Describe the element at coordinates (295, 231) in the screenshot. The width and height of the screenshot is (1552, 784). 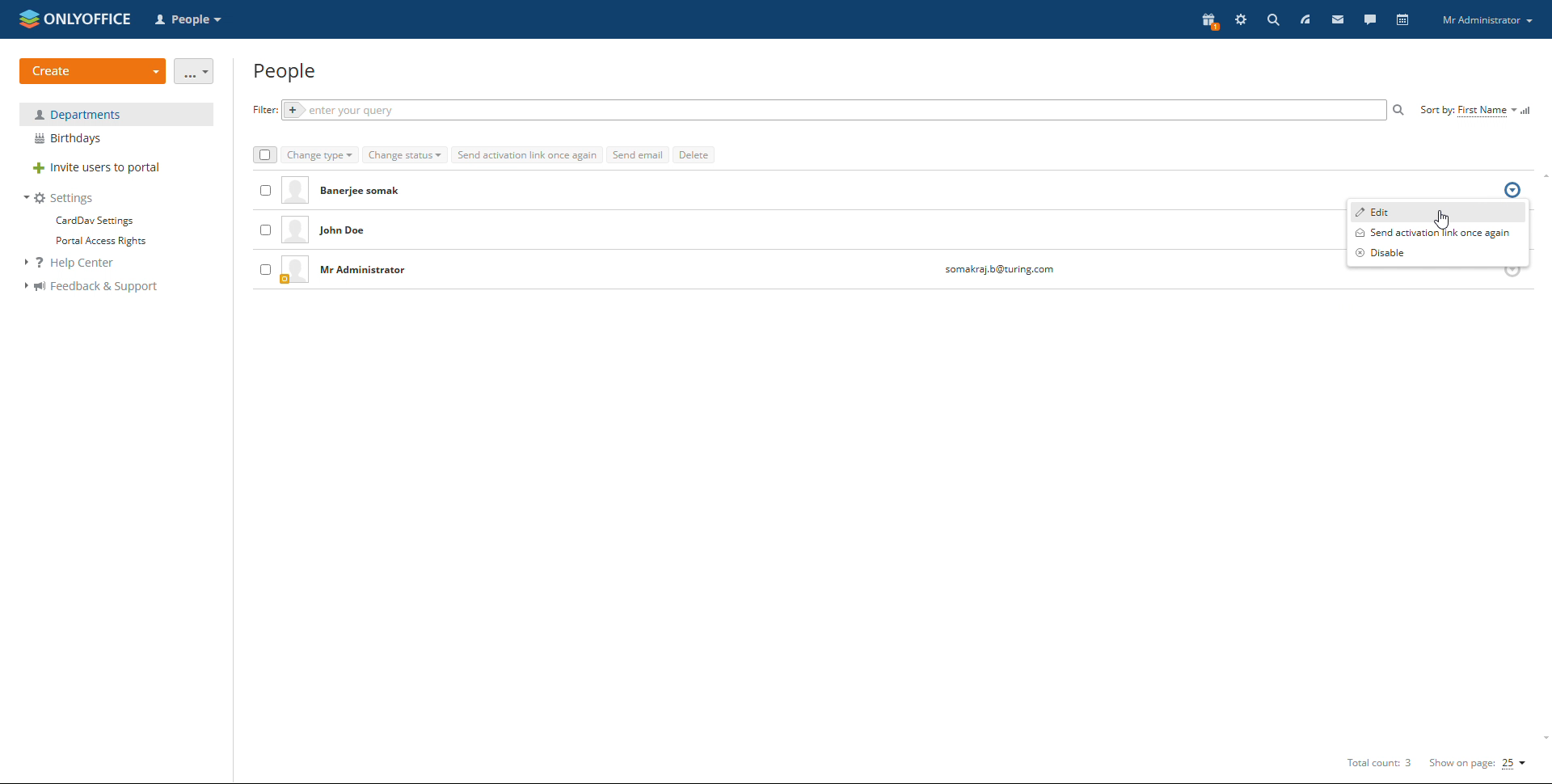
I see `profile picture` at that location.